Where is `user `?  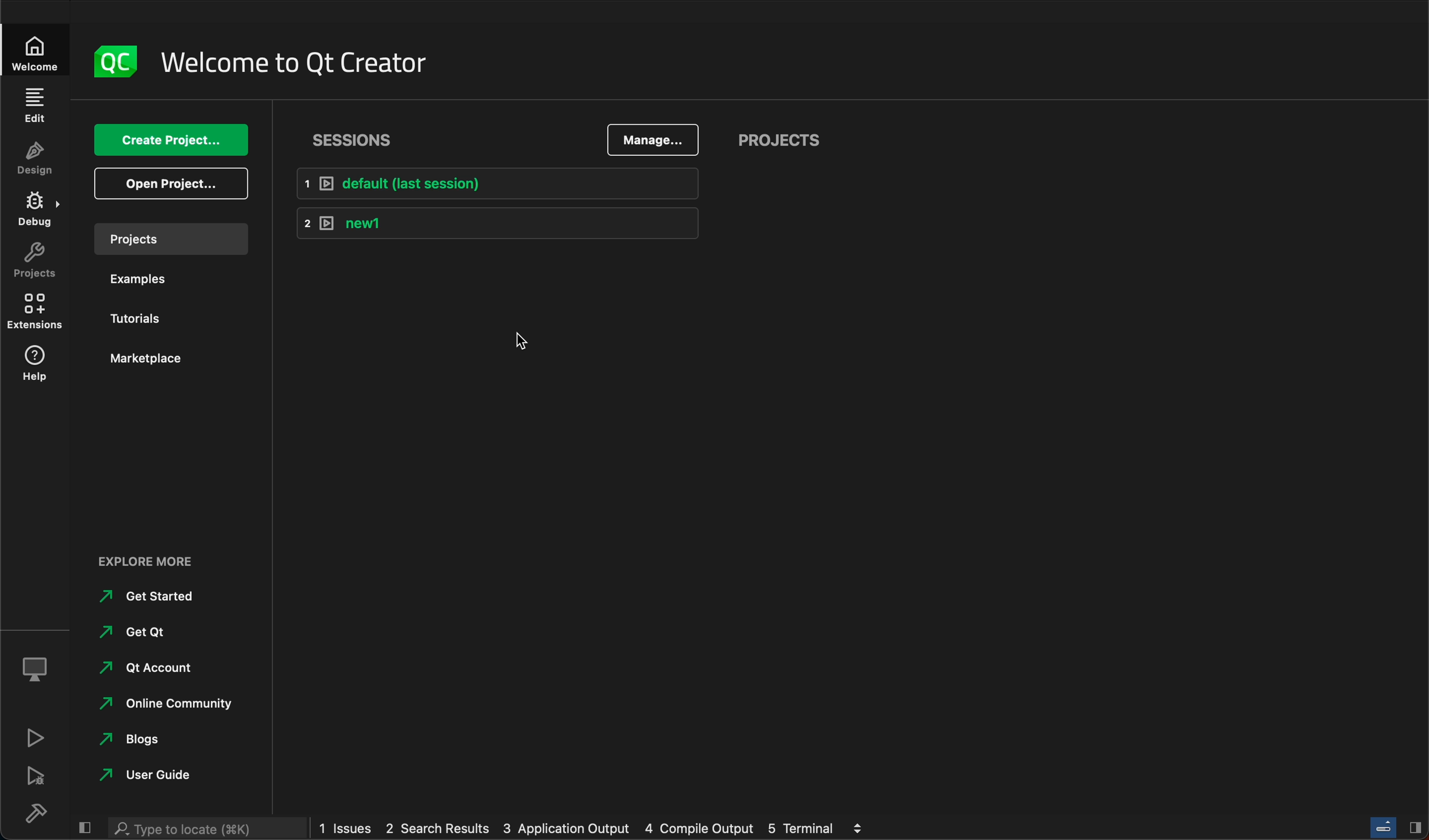
user  is located at coordinates (147, 774).